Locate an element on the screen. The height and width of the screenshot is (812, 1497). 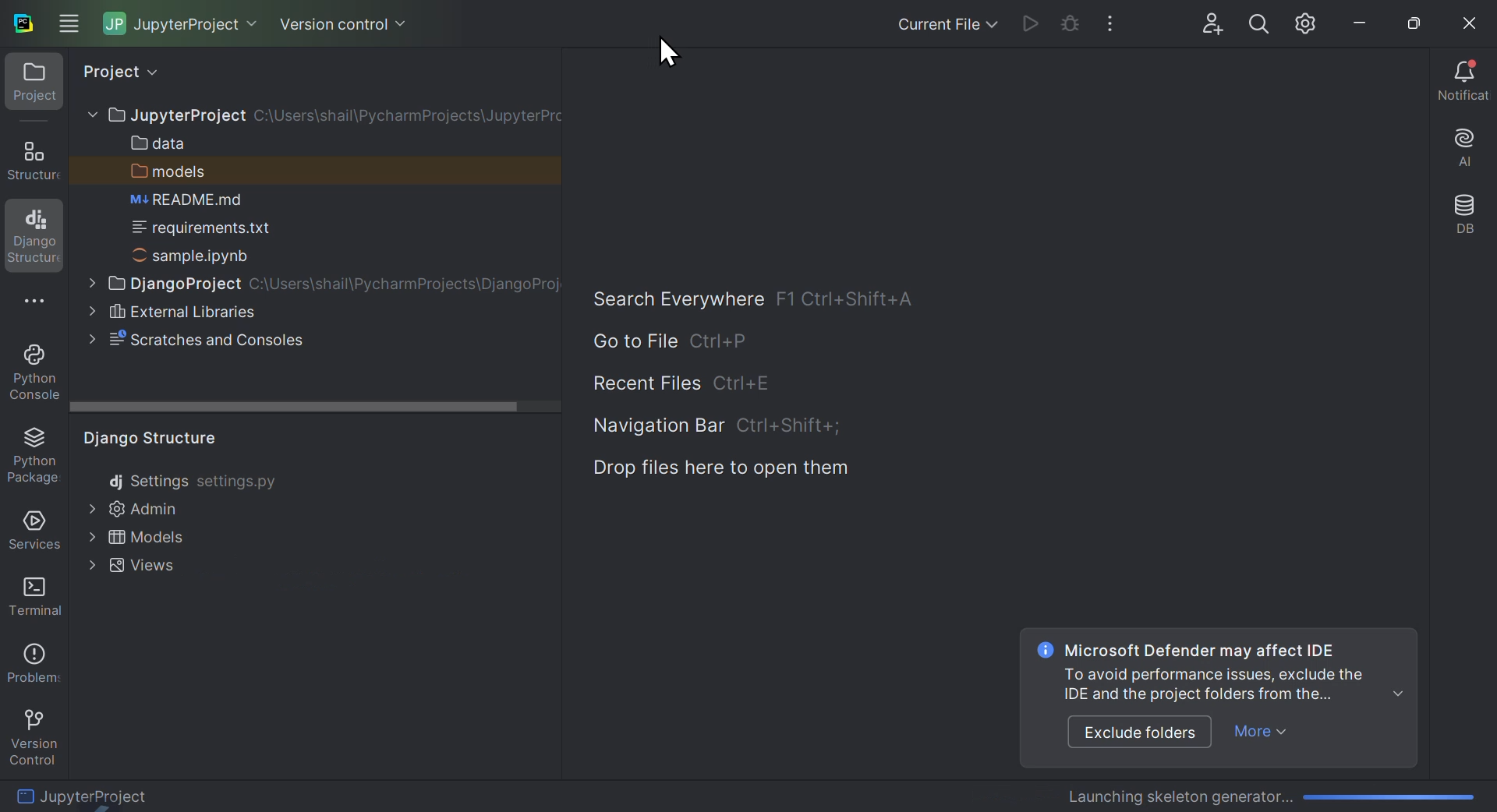
Problems is located at coordinates (31, 659).